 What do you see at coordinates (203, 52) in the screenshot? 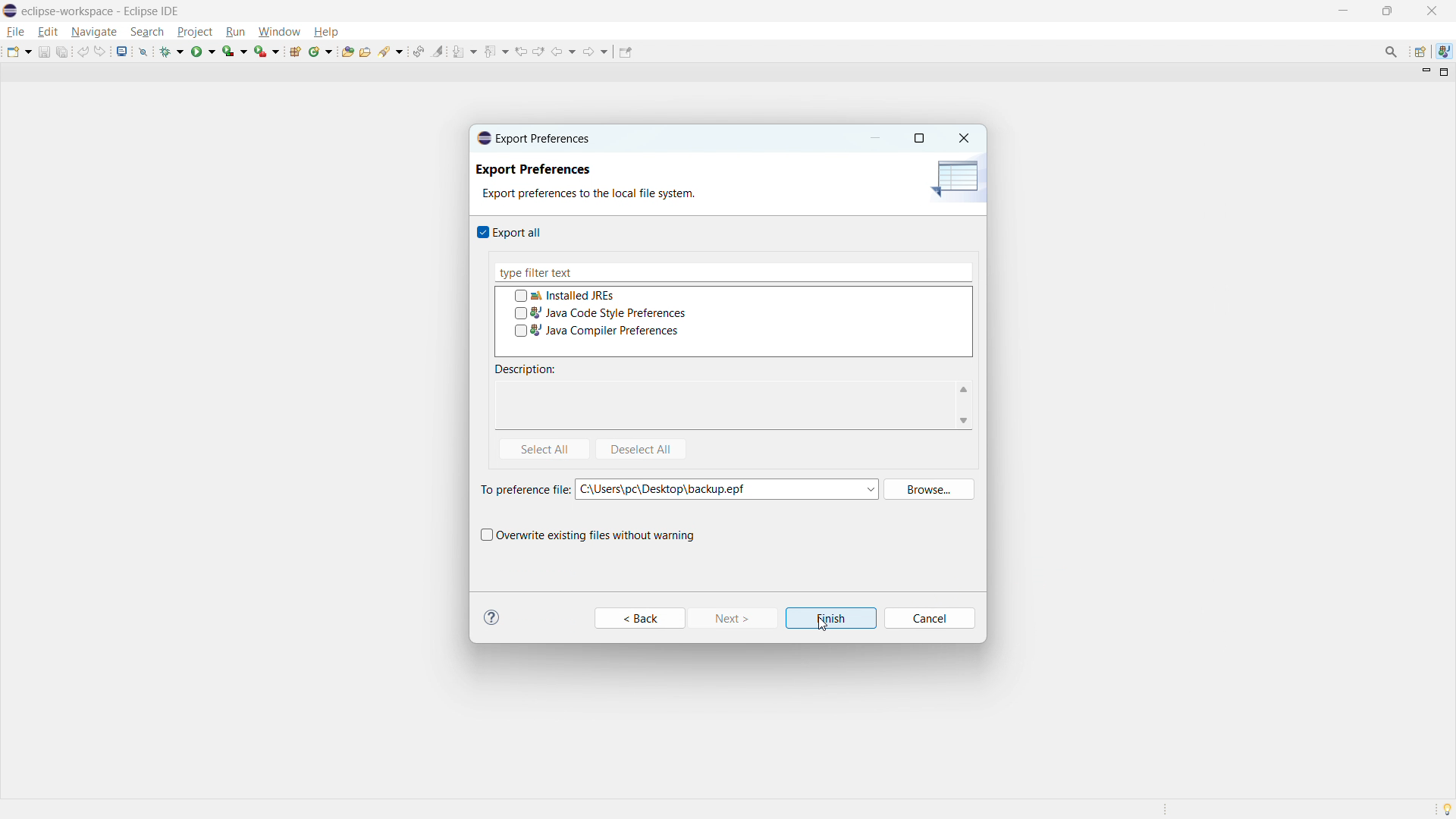
I see `run` at bounding box center [203, 52].